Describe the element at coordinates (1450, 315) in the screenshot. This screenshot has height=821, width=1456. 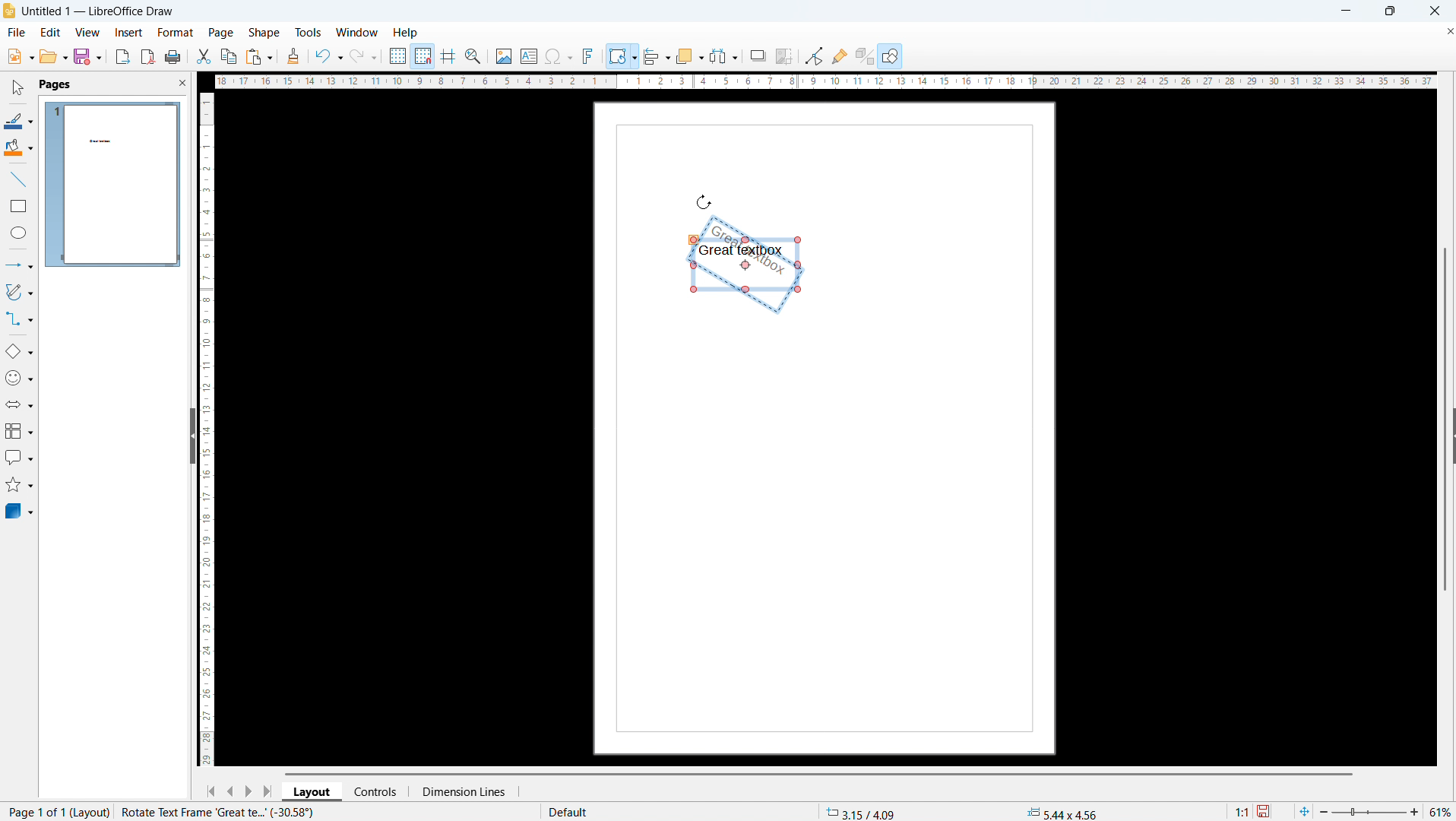
I see `Vertical scroll bar ` at that location.